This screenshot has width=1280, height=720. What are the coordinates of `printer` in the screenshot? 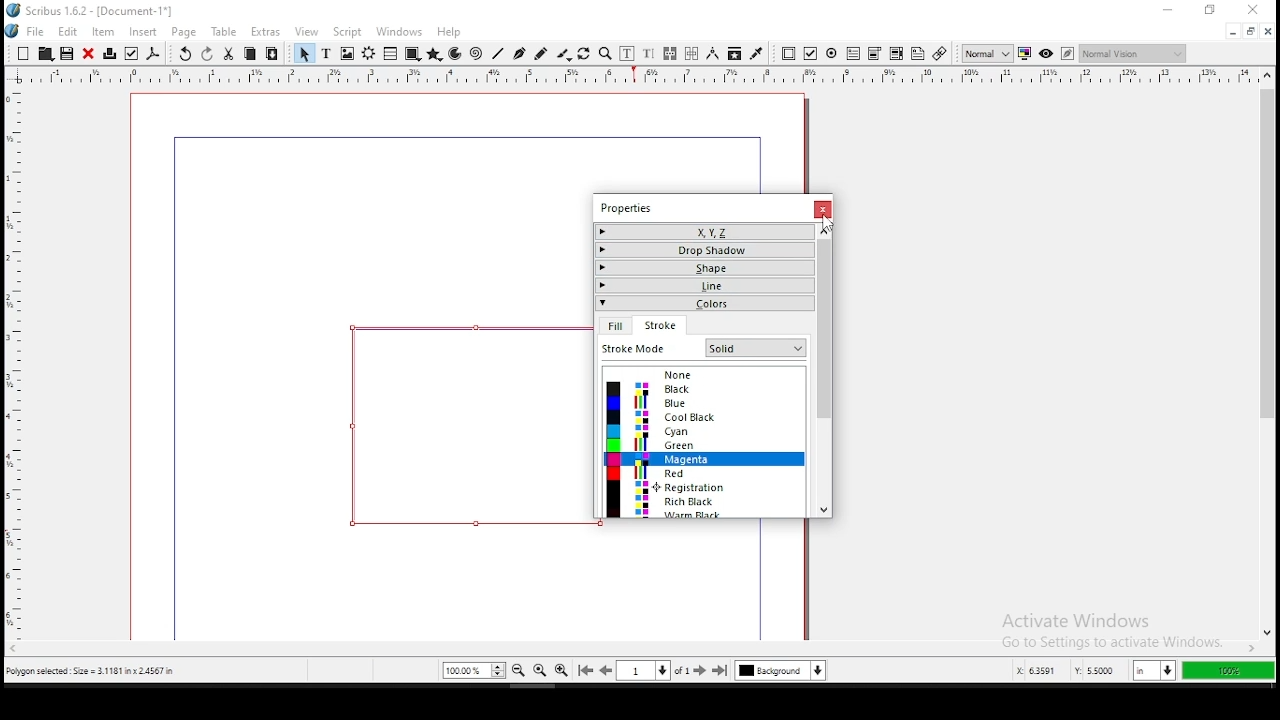 It's located at (109, 54).